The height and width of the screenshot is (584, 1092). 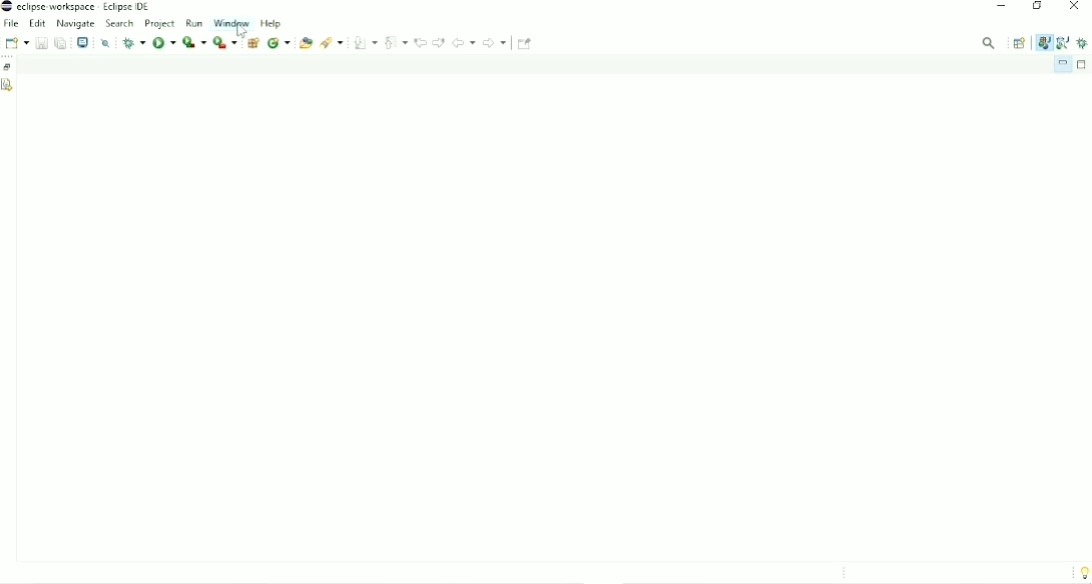 I want to click on Window, so click(x=231, y=22).